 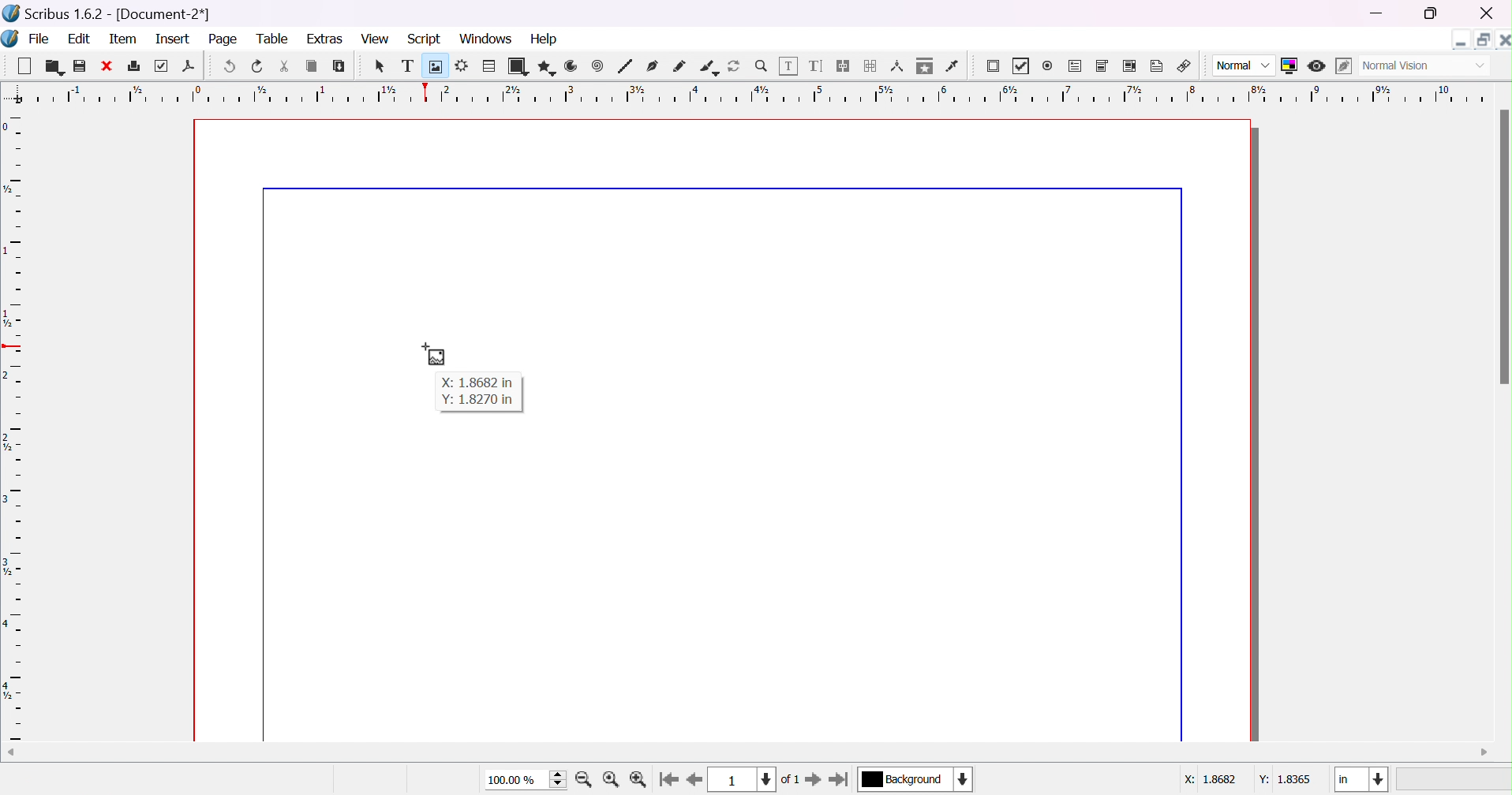 What do you see at coordinates (1128, 65) in the screenshot?
I see `PDF list box` at bounding box center [1128, 65].